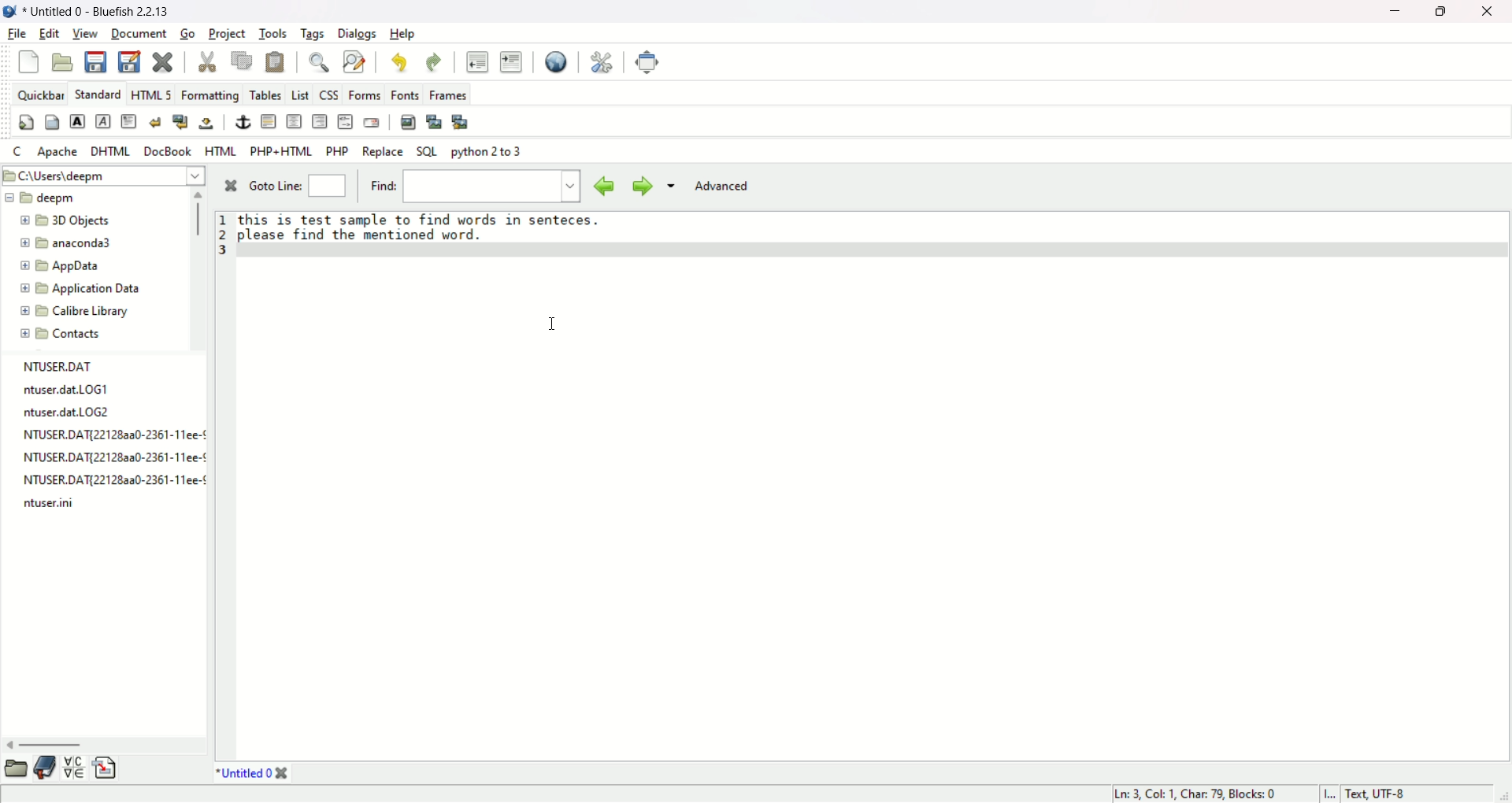  Describe the element at coordinates (602, 61) in the screenshot. I see `edit preferences` at that location.